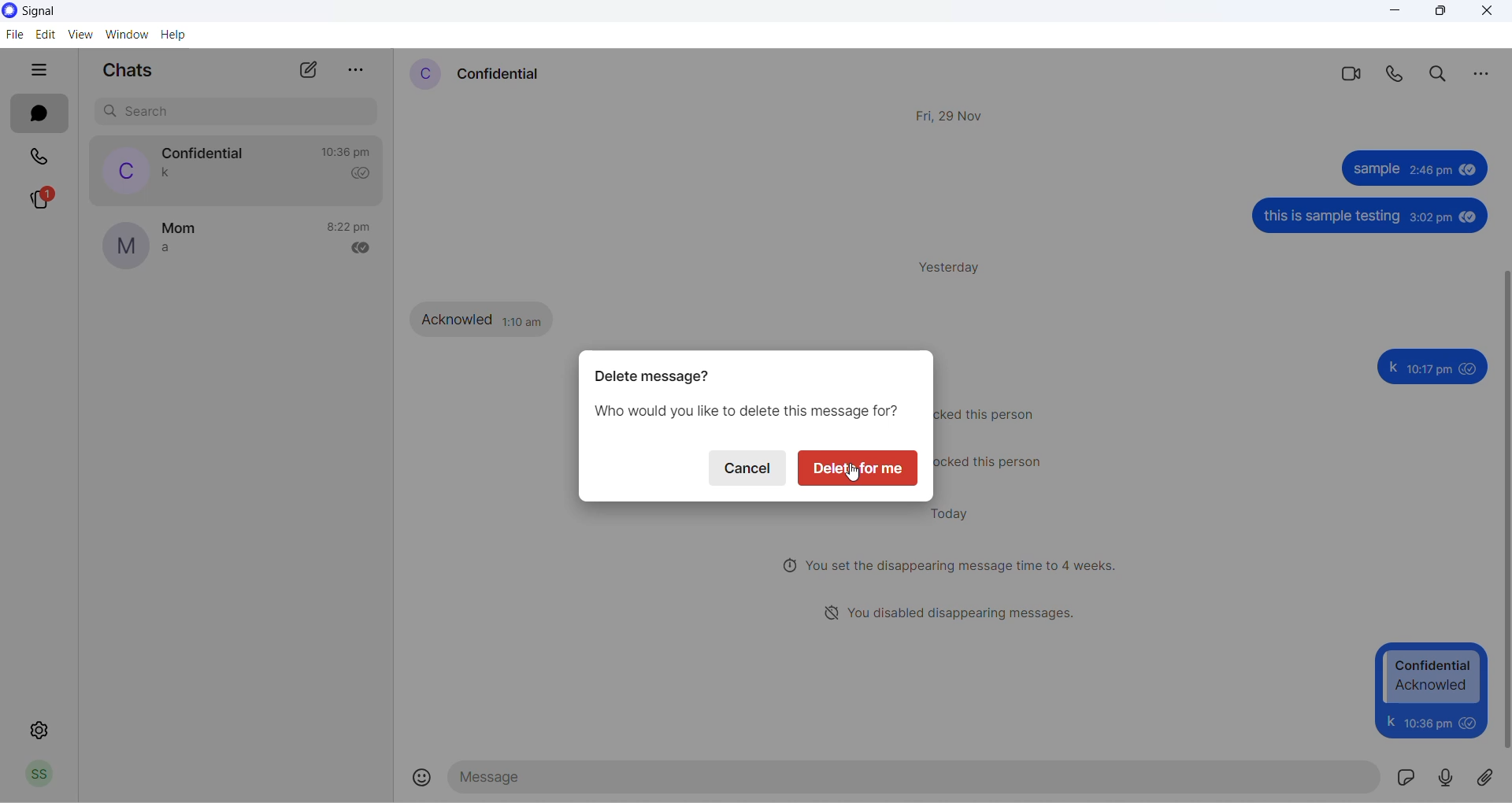 This screenshot has height=803, width=1512. I want to click on read recipient, so click(362, 174).